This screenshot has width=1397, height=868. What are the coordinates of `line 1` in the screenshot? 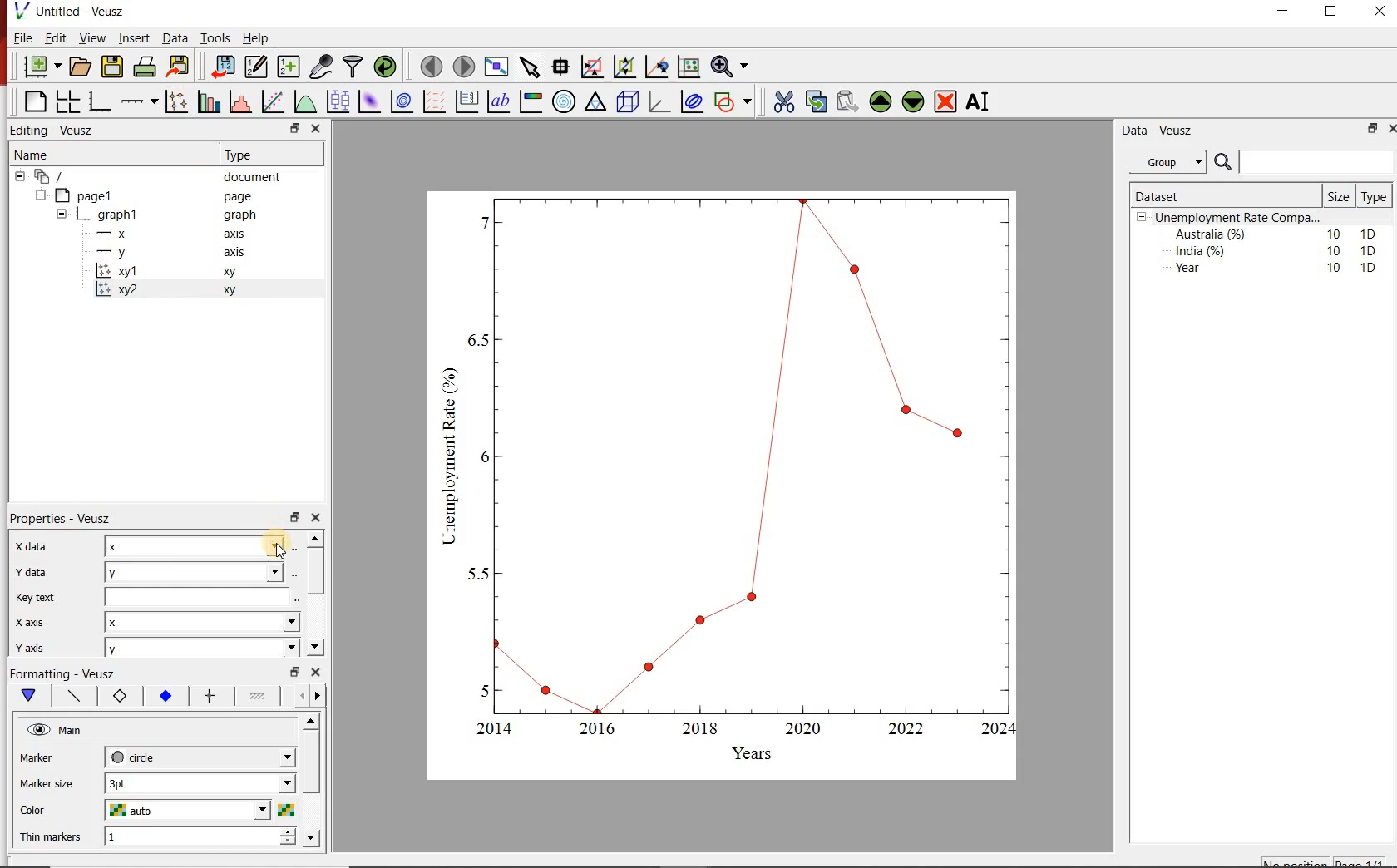 It's located at (258, 694).